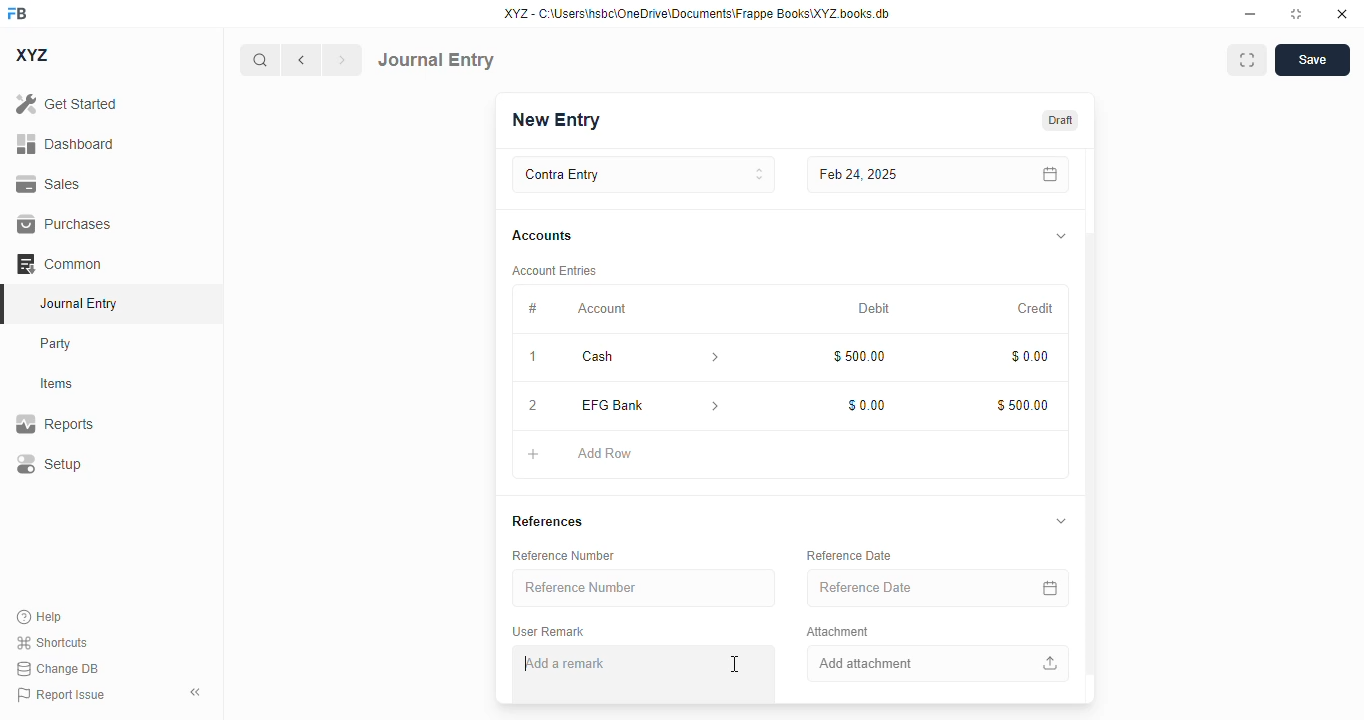 The image size is (1364, 720). What do you see at coordinates (31, 55) in the screenshot?
I see `XYZ` at bounding box center [31, 55].